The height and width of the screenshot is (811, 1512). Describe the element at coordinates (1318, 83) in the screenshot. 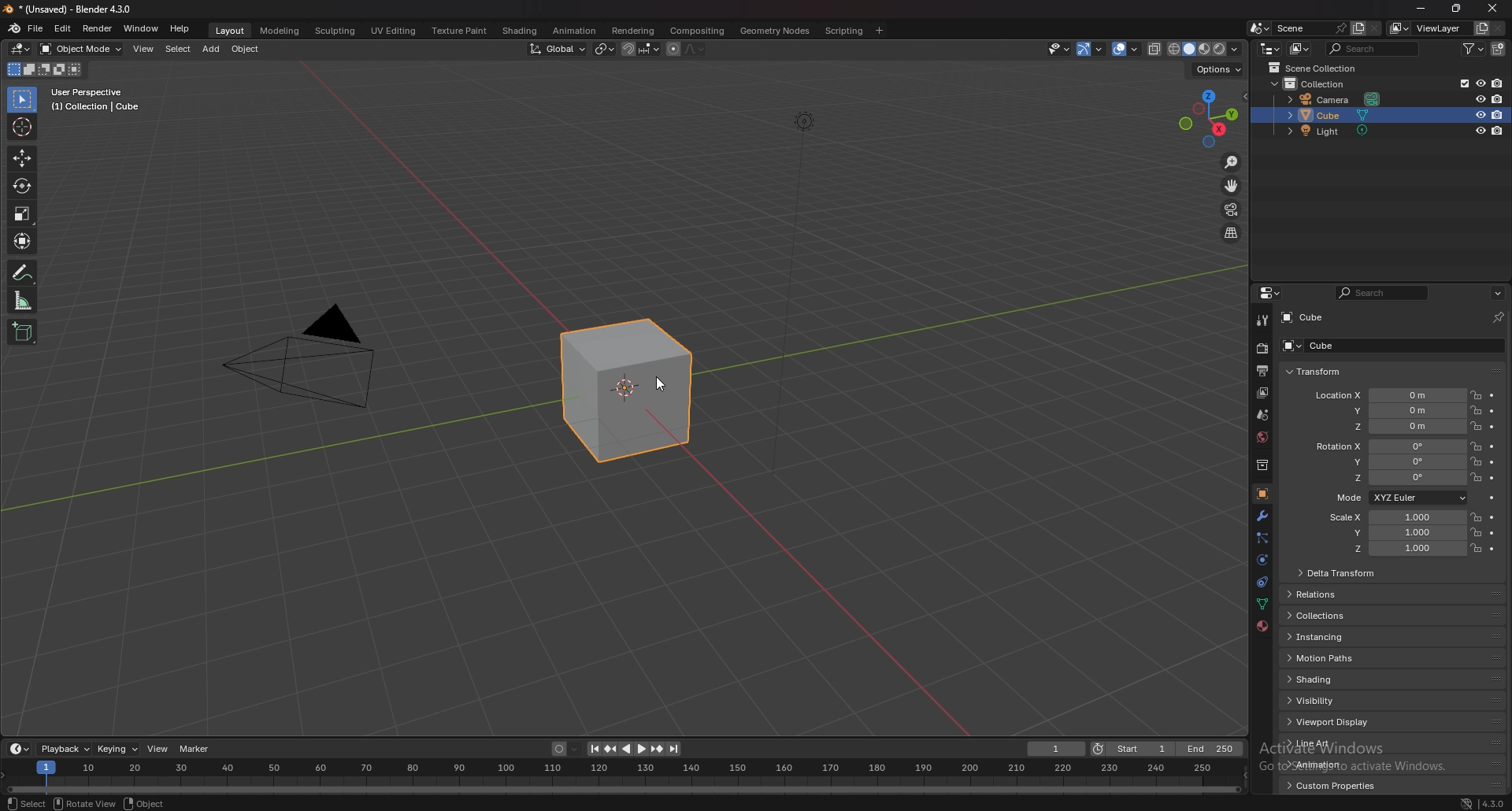

I see `collection` at that location.